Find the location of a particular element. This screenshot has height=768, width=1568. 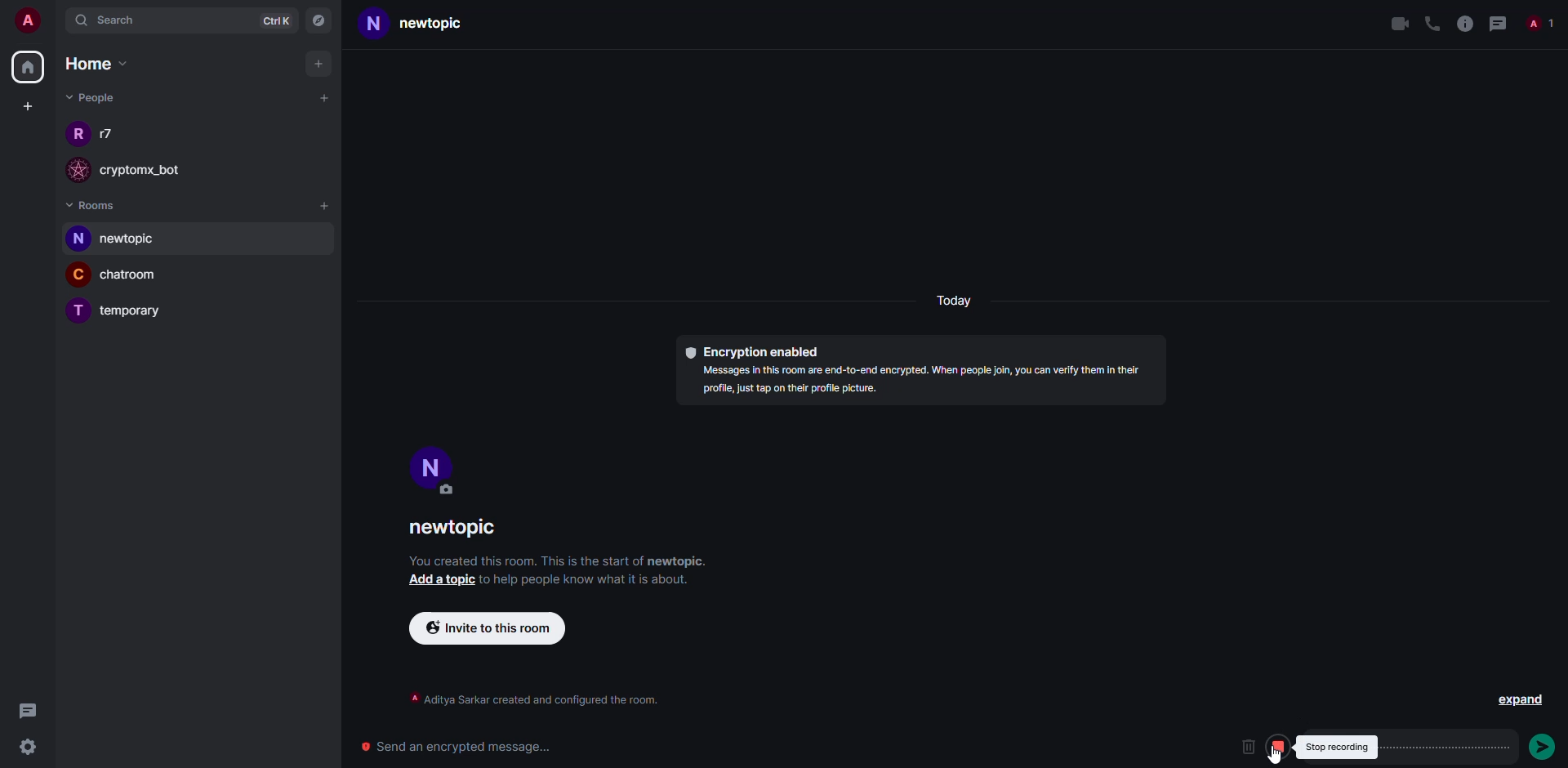

home is located at coordinates (101, 63).